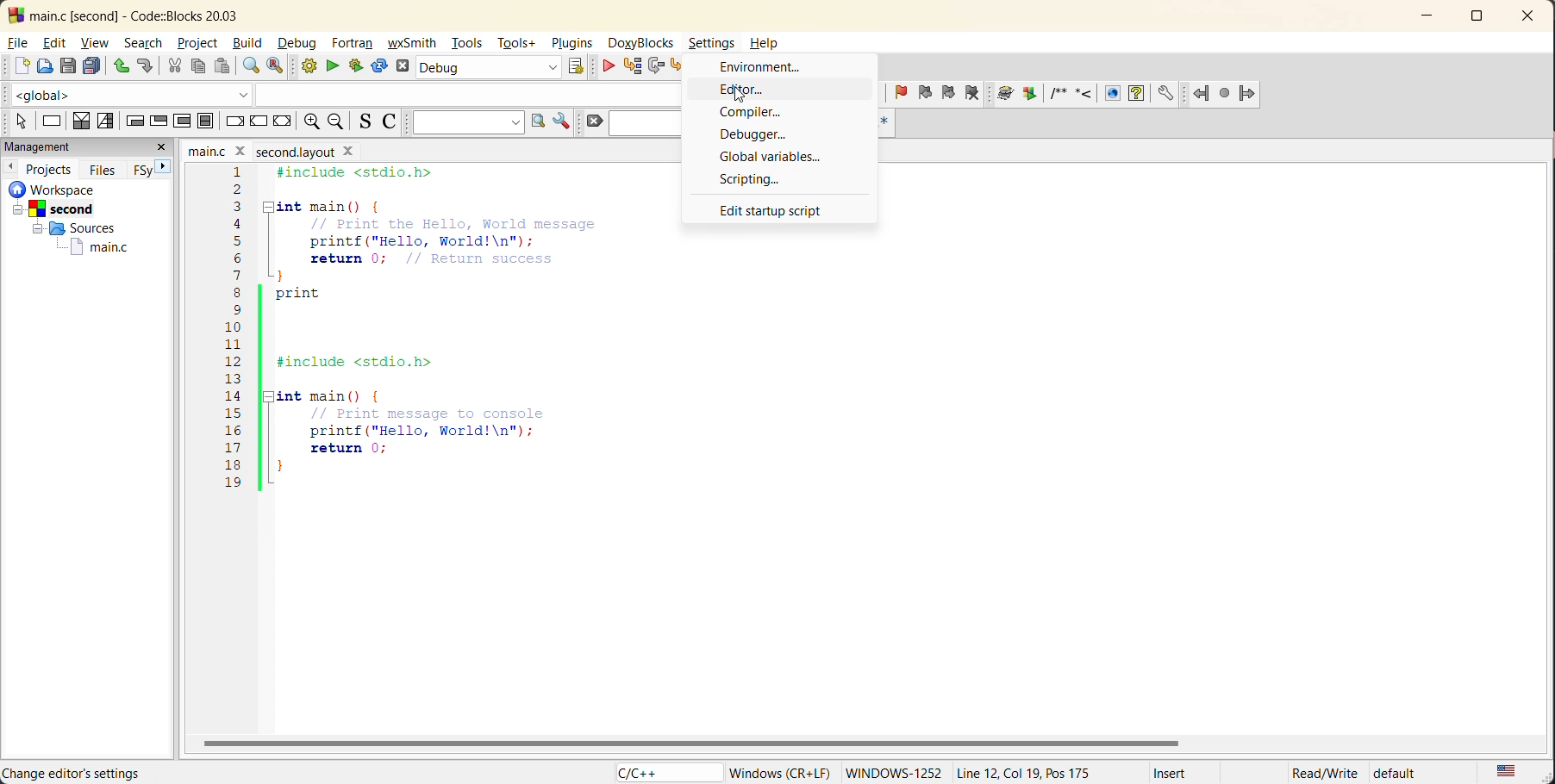  I want to click on code editor, so click(404, 340).